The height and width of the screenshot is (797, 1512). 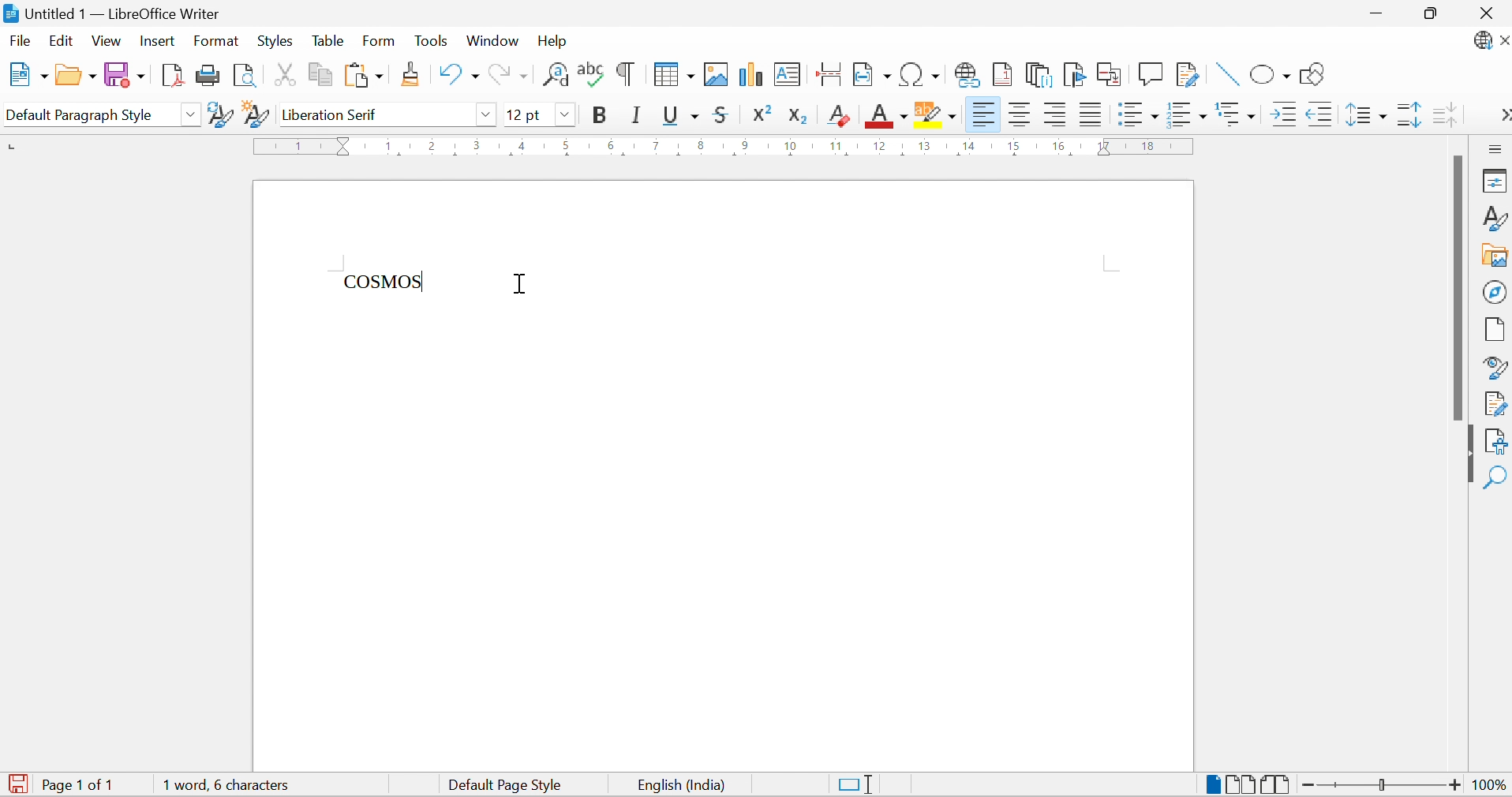 What do you see at coordinates (492, 42) in the screenshot?
I see `Window` at bounding box center [492, 42].